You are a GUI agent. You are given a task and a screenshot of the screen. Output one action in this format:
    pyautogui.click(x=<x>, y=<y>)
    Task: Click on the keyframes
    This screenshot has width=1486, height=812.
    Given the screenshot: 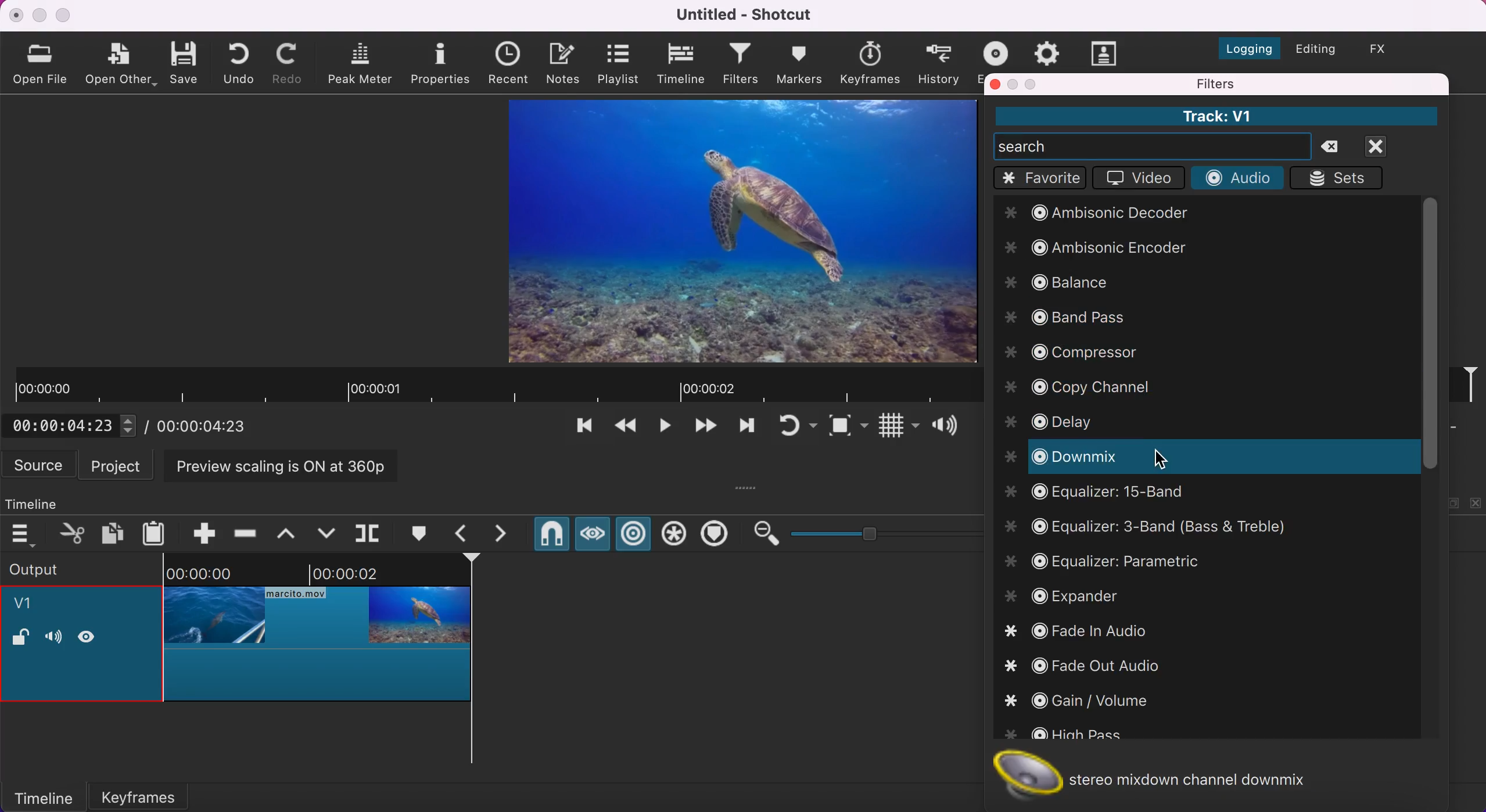 What is the action you would take?
    pyautogui.click(x=153, y=793)
    